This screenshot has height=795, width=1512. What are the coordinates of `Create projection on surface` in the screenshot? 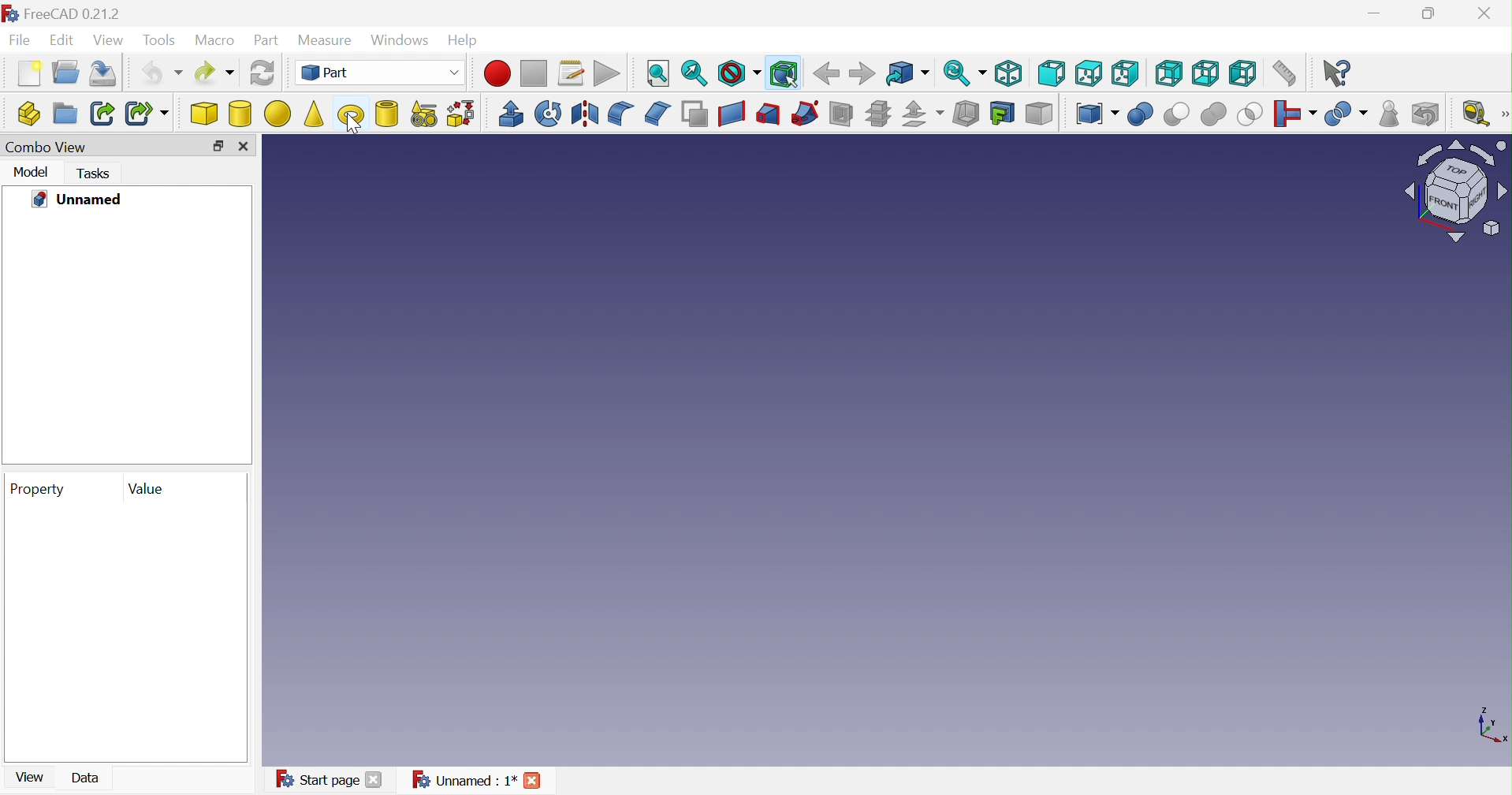 It's located at (1003, 114).